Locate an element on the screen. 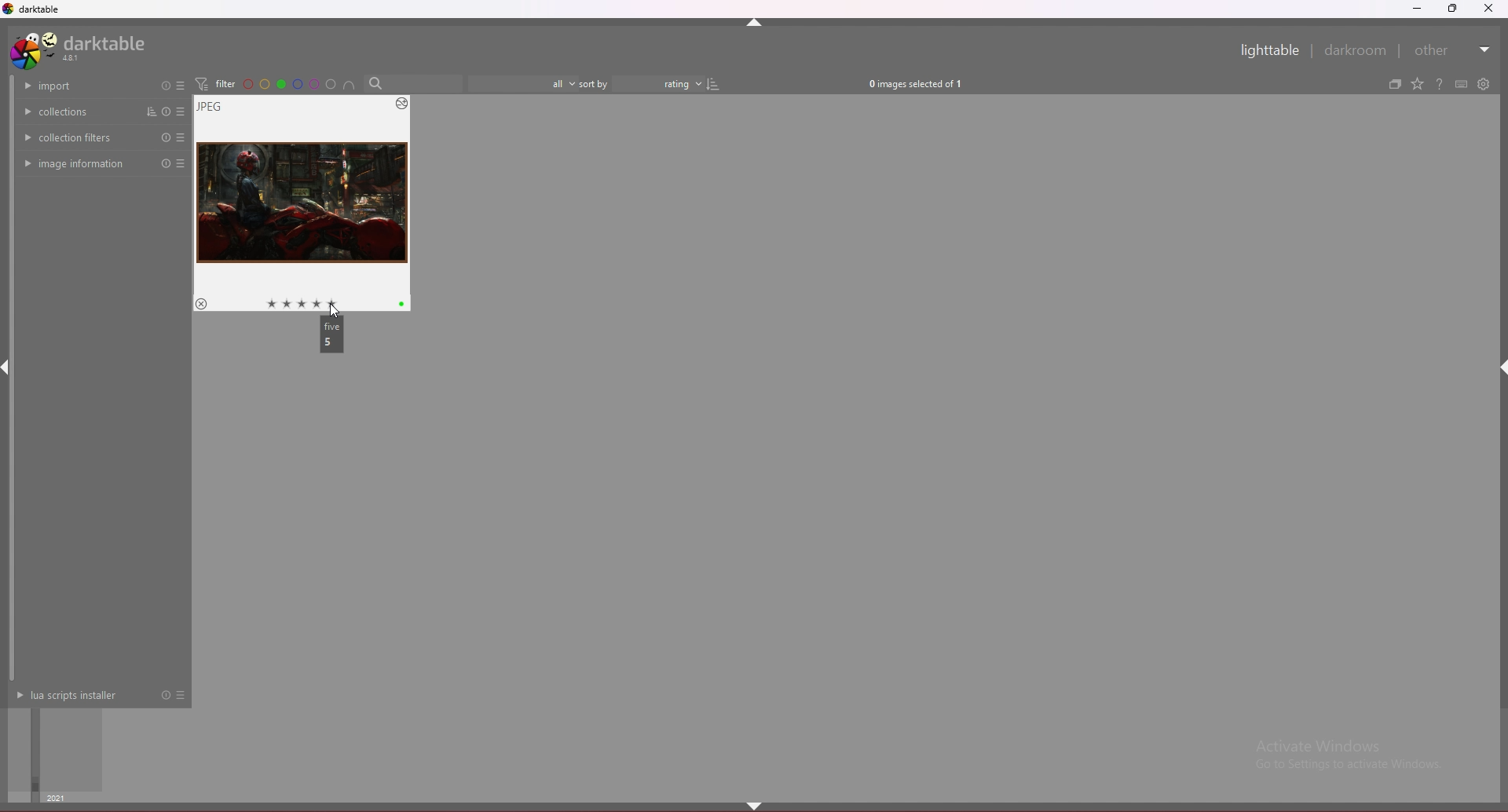 This screenshot has height=812, width=1508. options is located at coordinates (401, 104).